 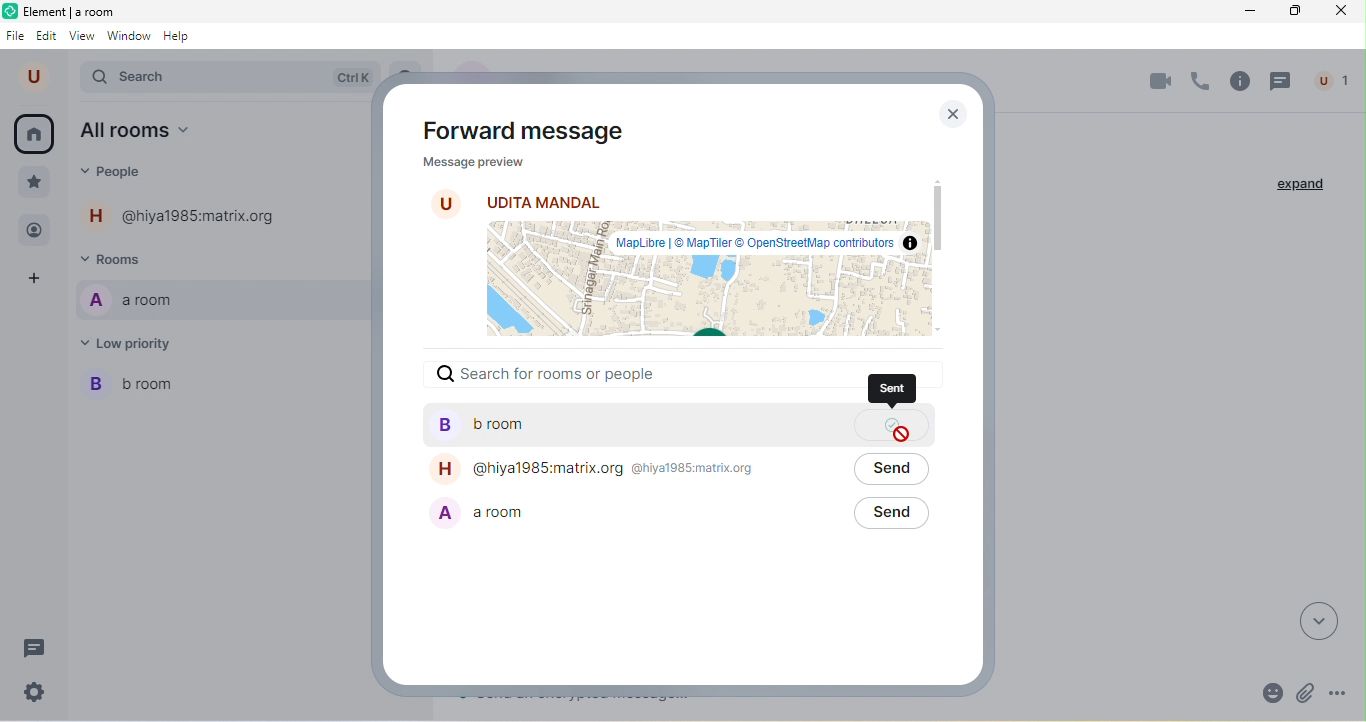 I want to click on more options, so click(x=1346, y=694).